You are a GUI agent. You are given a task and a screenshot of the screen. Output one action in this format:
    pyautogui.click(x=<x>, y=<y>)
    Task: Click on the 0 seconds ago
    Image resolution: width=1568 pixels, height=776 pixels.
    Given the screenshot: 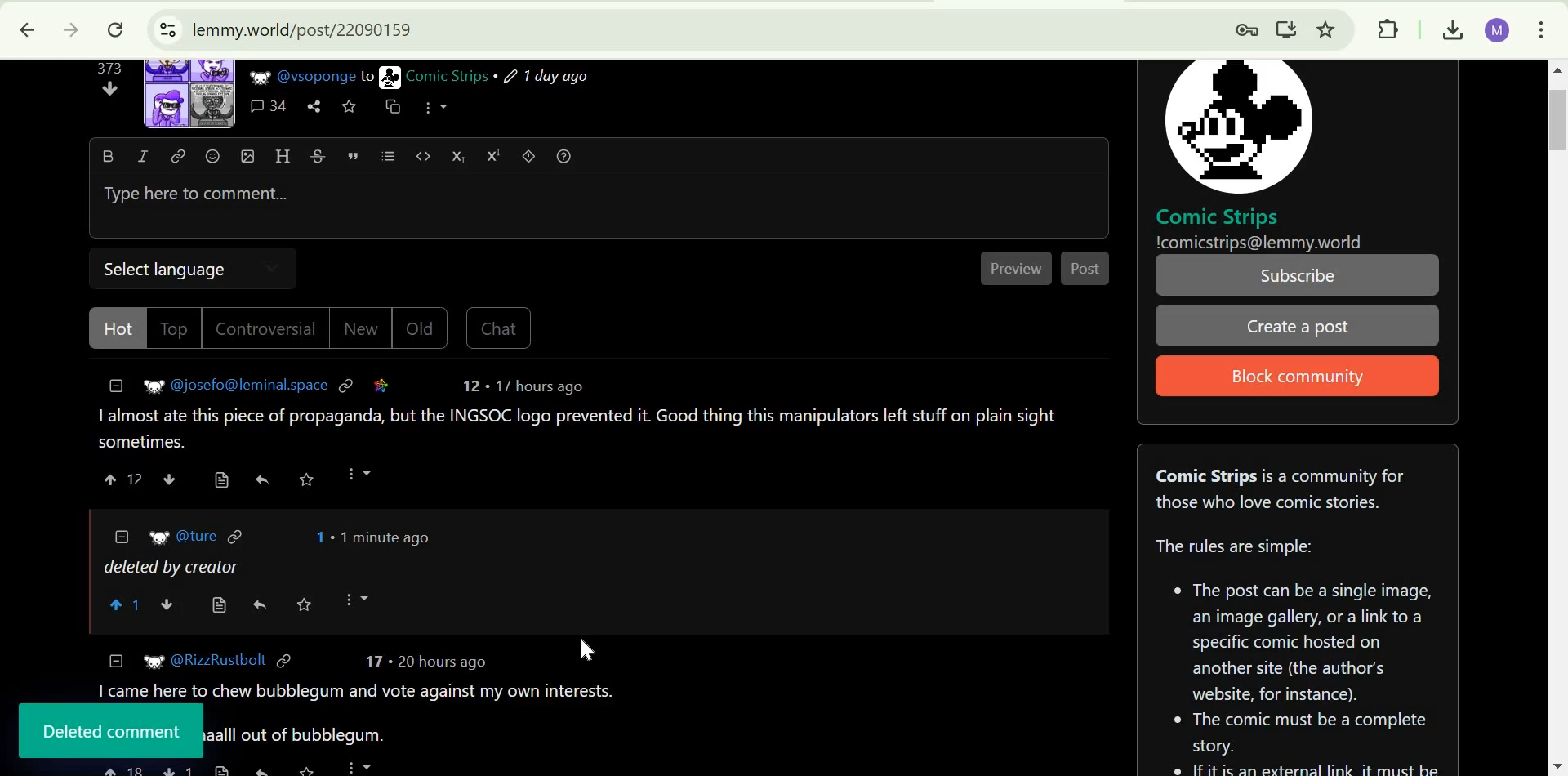 What is the action you would take?
    pyautogui.click(x=385, y=537)
    